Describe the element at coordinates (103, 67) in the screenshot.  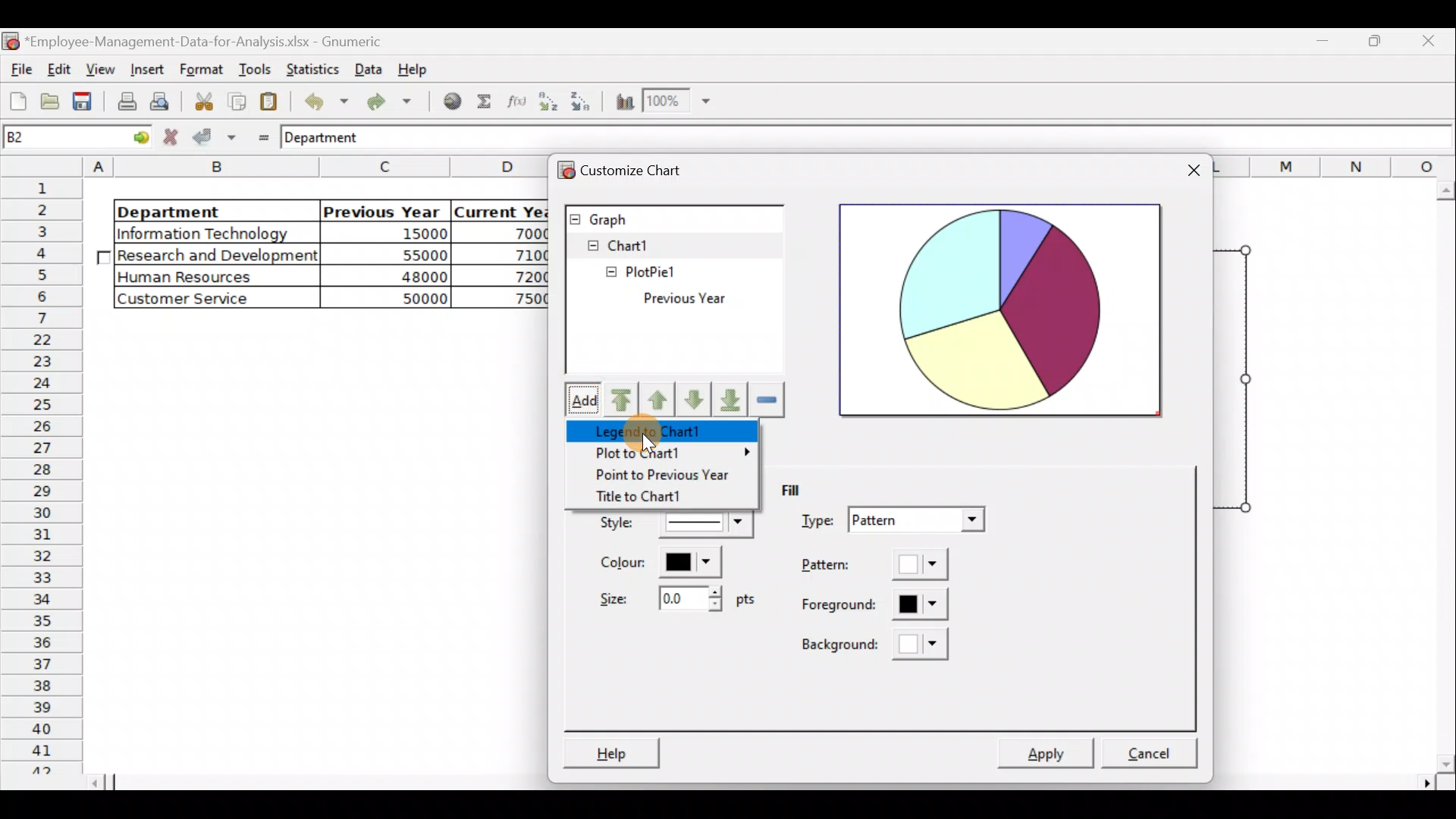
I see `View` at that location.